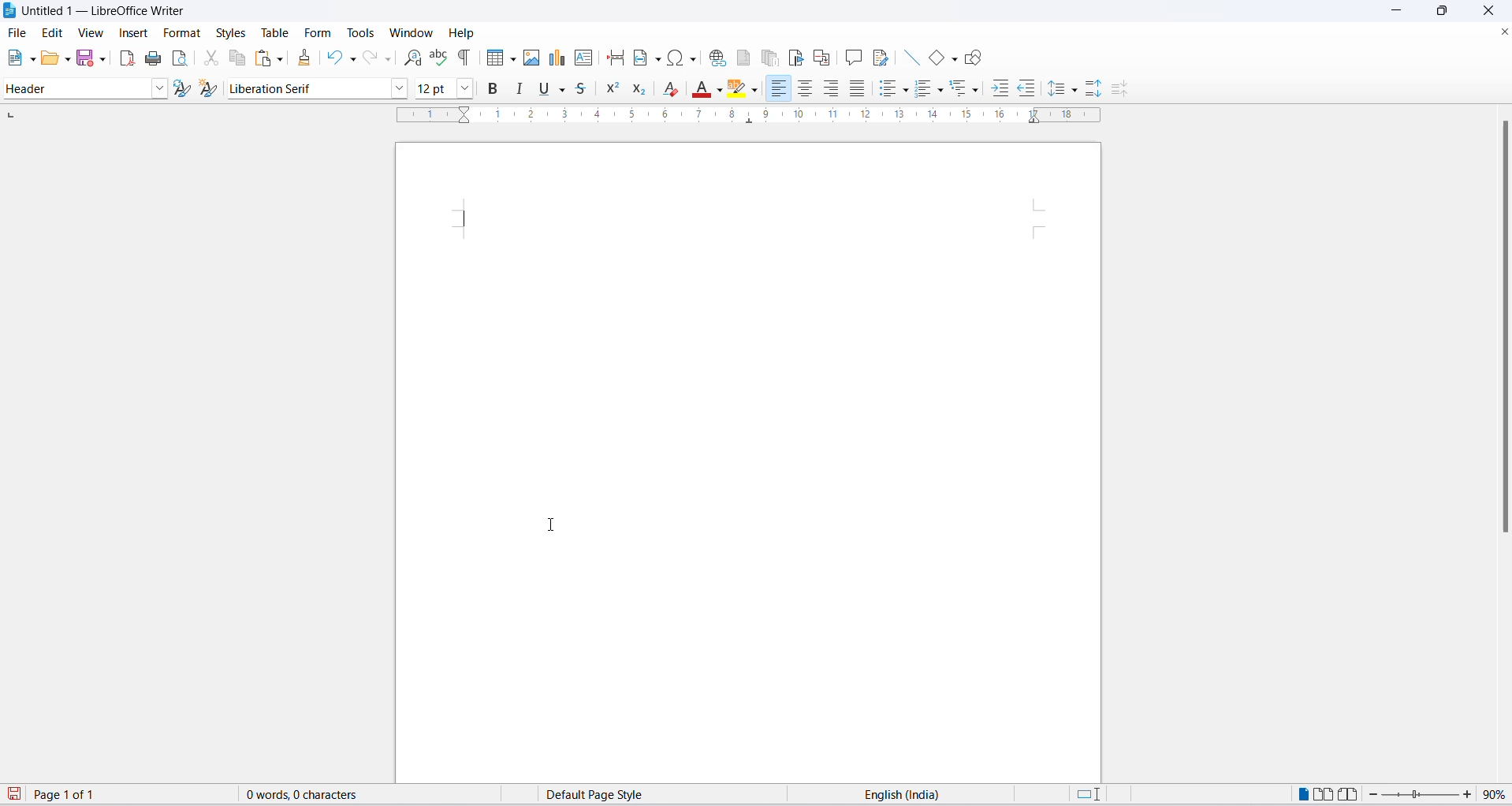 The image size is (1512, 806). Describe the element at coordinates (1301, 794) in the screenshot. I see `single page view` at that location.